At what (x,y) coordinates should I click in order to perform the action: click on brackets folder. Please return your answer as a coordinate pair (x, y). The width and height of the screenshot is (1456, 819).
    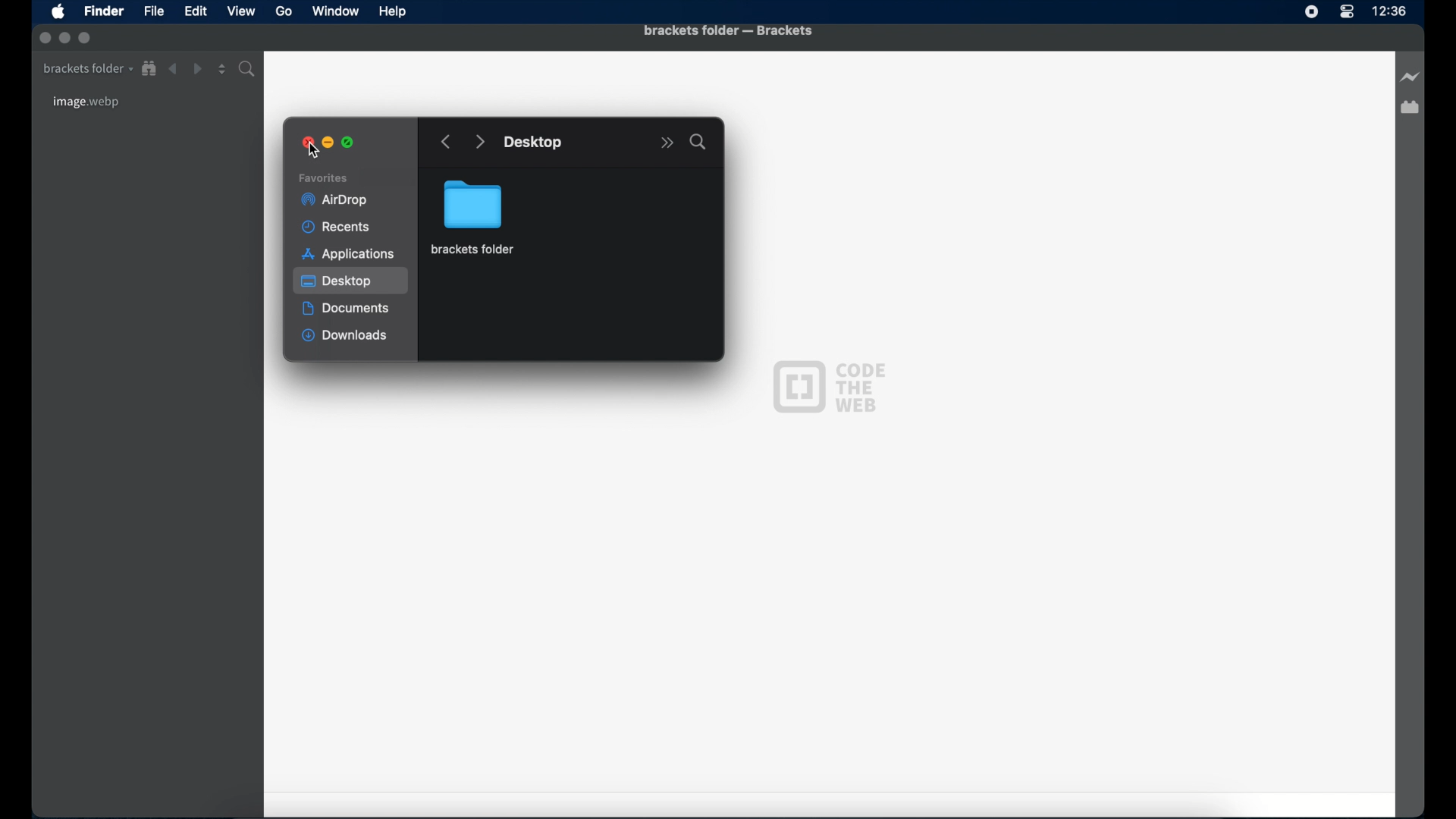
    Looking at the image, I should click on (88, 69).